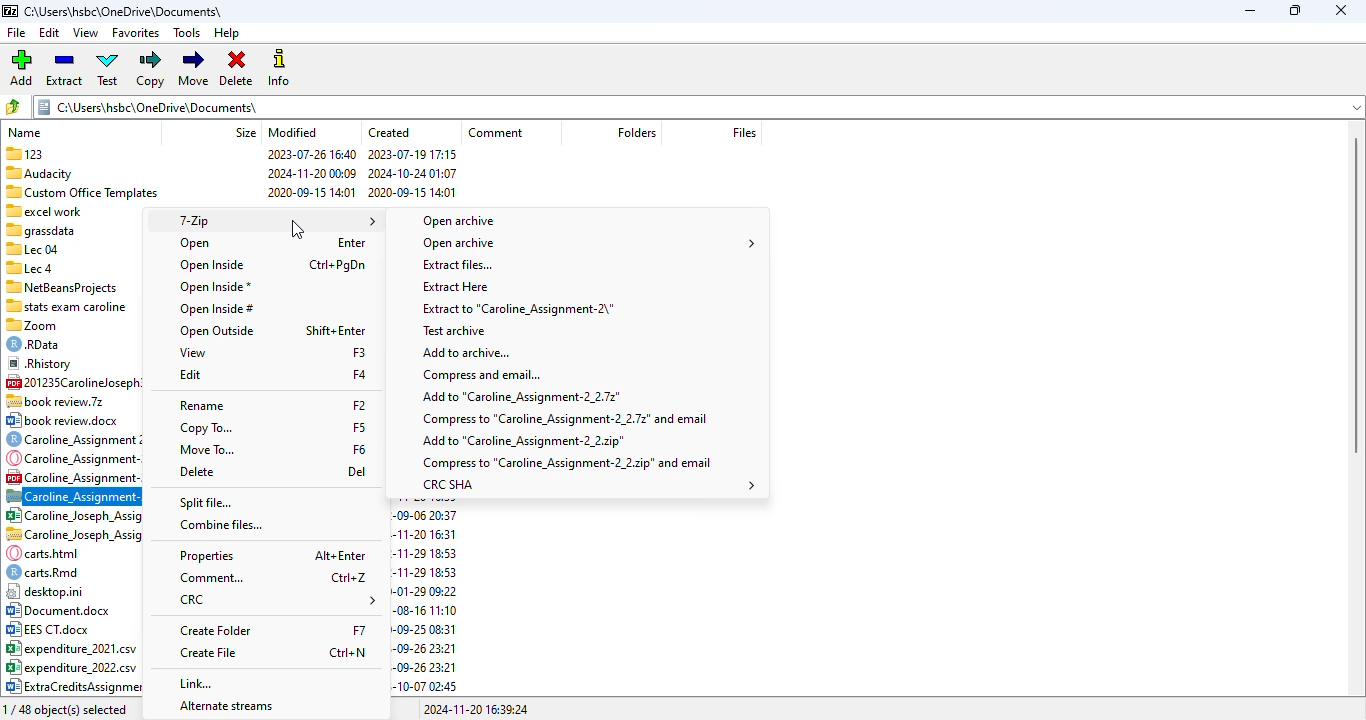 This screenshot has width=1366, height=720. Describe the element at coordinates (71, 667) in the screenshot. I see `8° expenditure_2022.csv 504 2023-10-06 15:41 2023-09-26 23:21` at that location.